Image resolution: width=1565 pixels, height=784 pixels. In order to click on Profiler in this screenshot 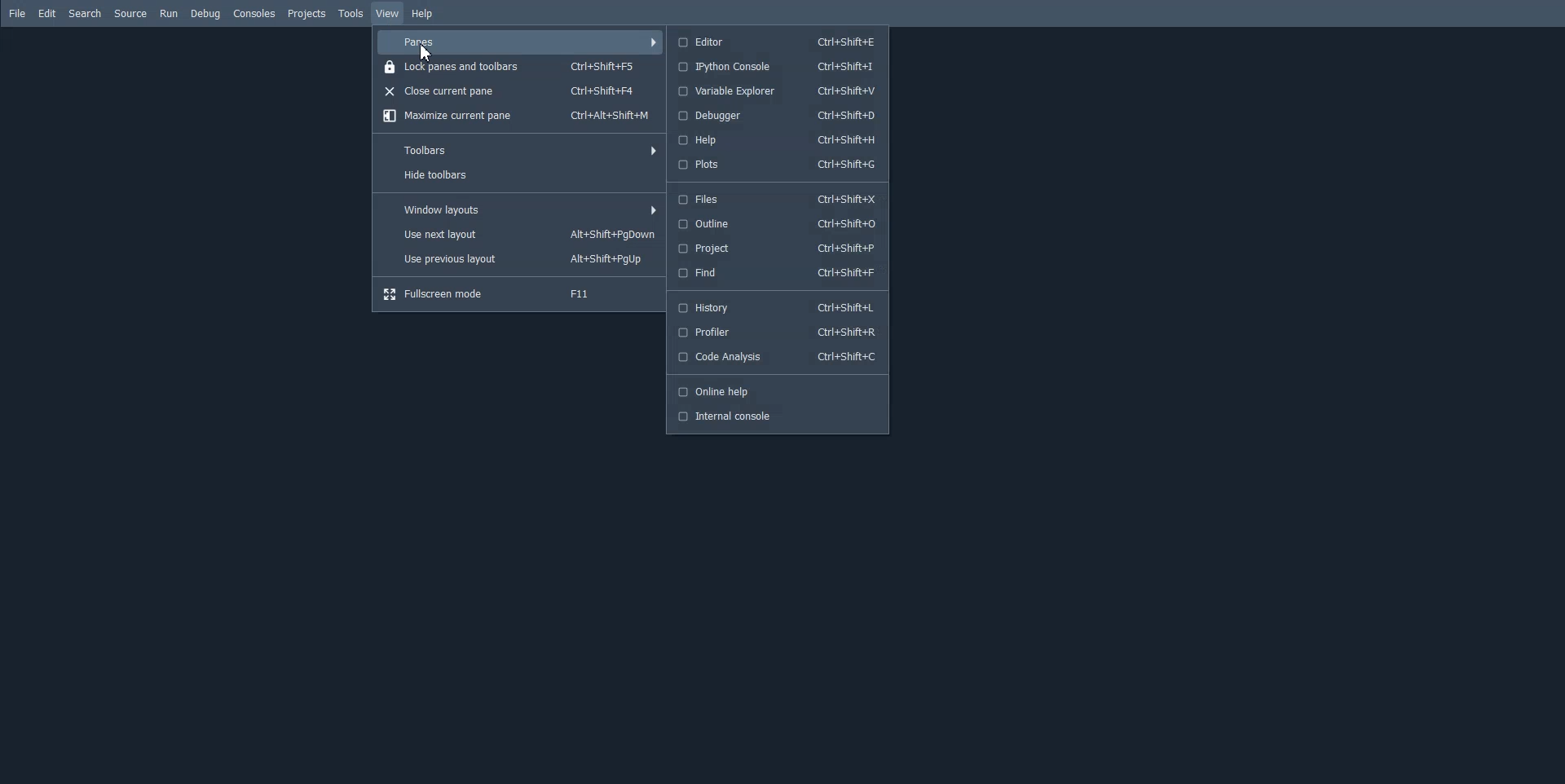, I will do `click(778, 333)`.